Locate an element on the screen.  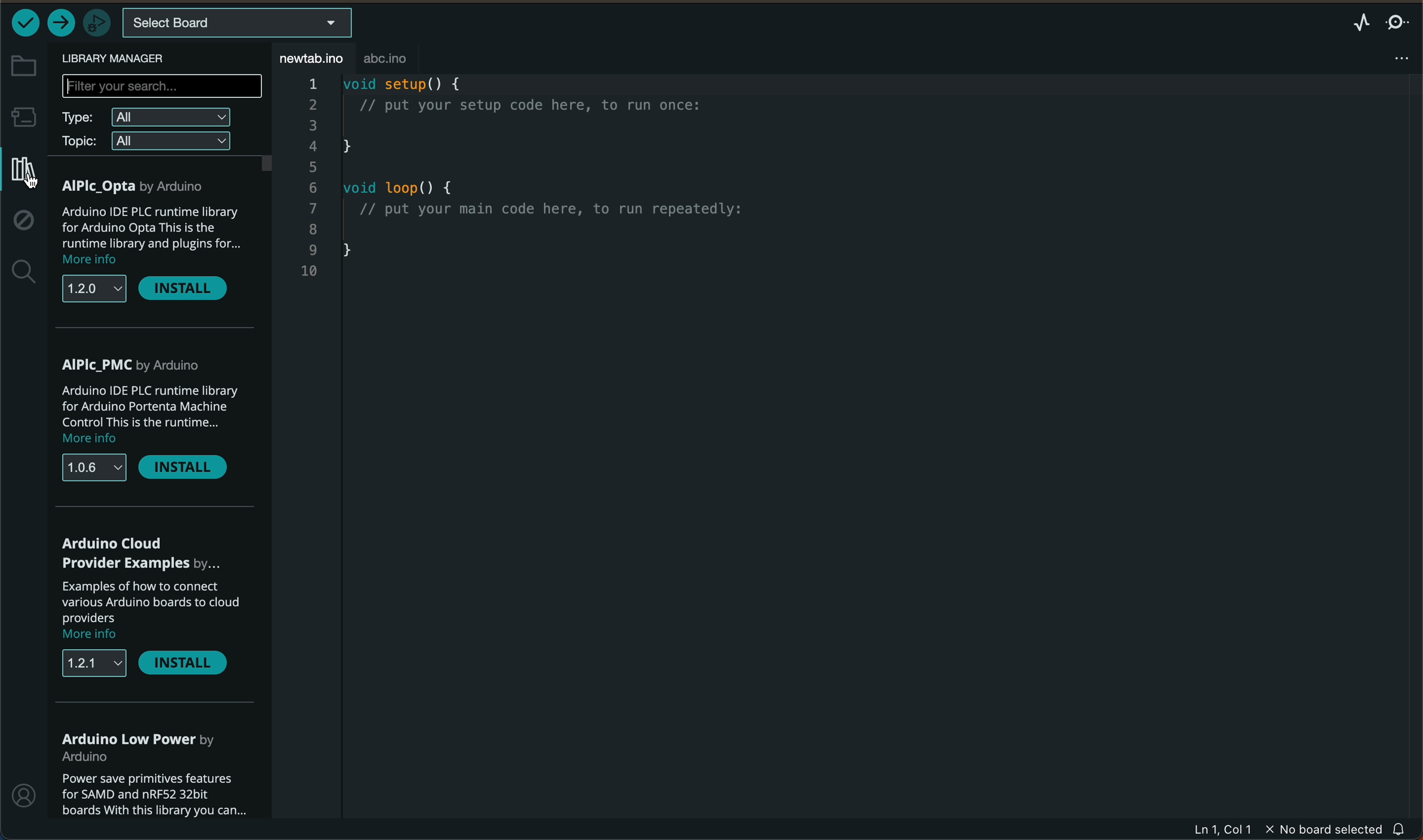
search is located at coordinates (24, 273).